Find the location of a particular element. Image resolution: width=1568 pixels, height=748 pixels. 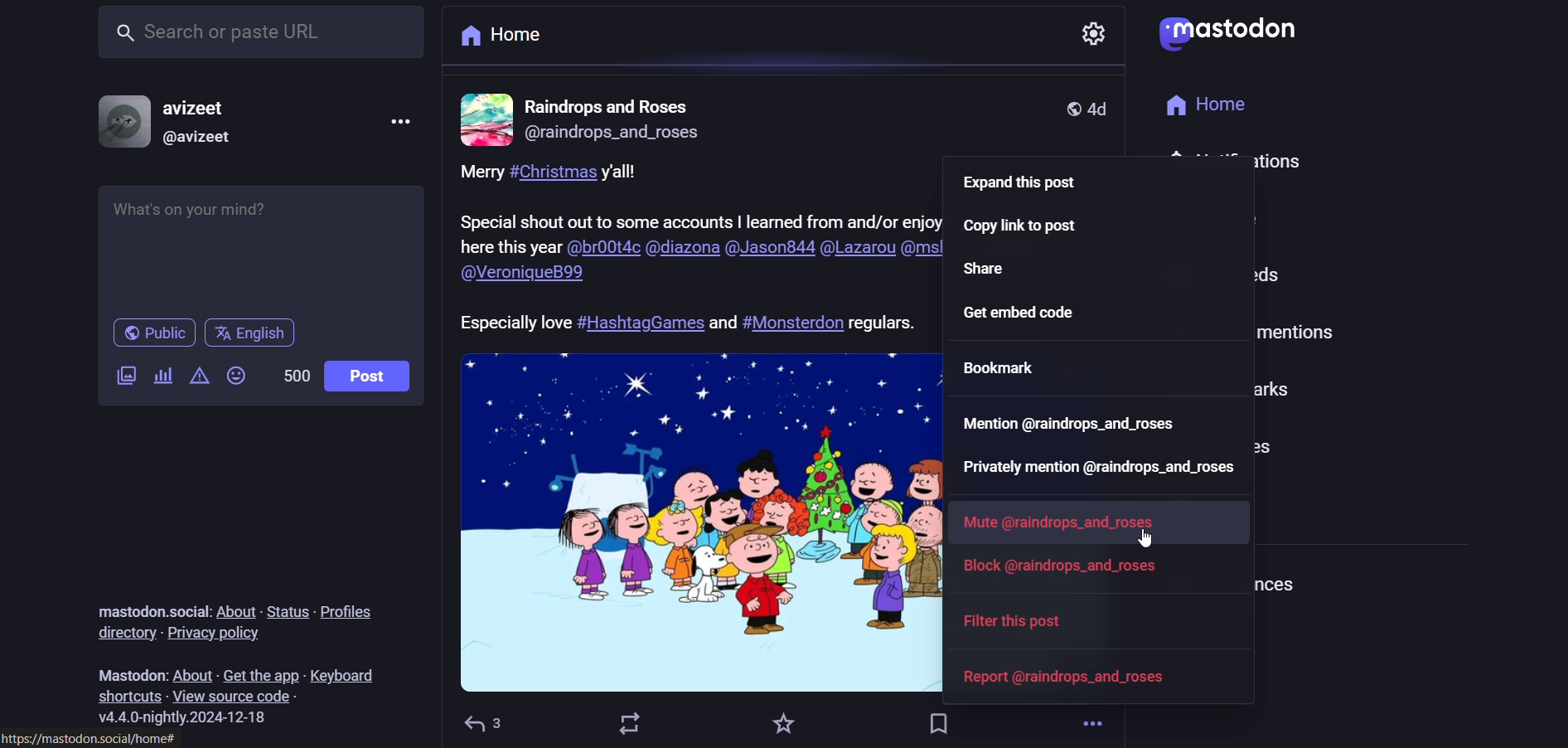

cursor is located at coordinates (1142, 542).